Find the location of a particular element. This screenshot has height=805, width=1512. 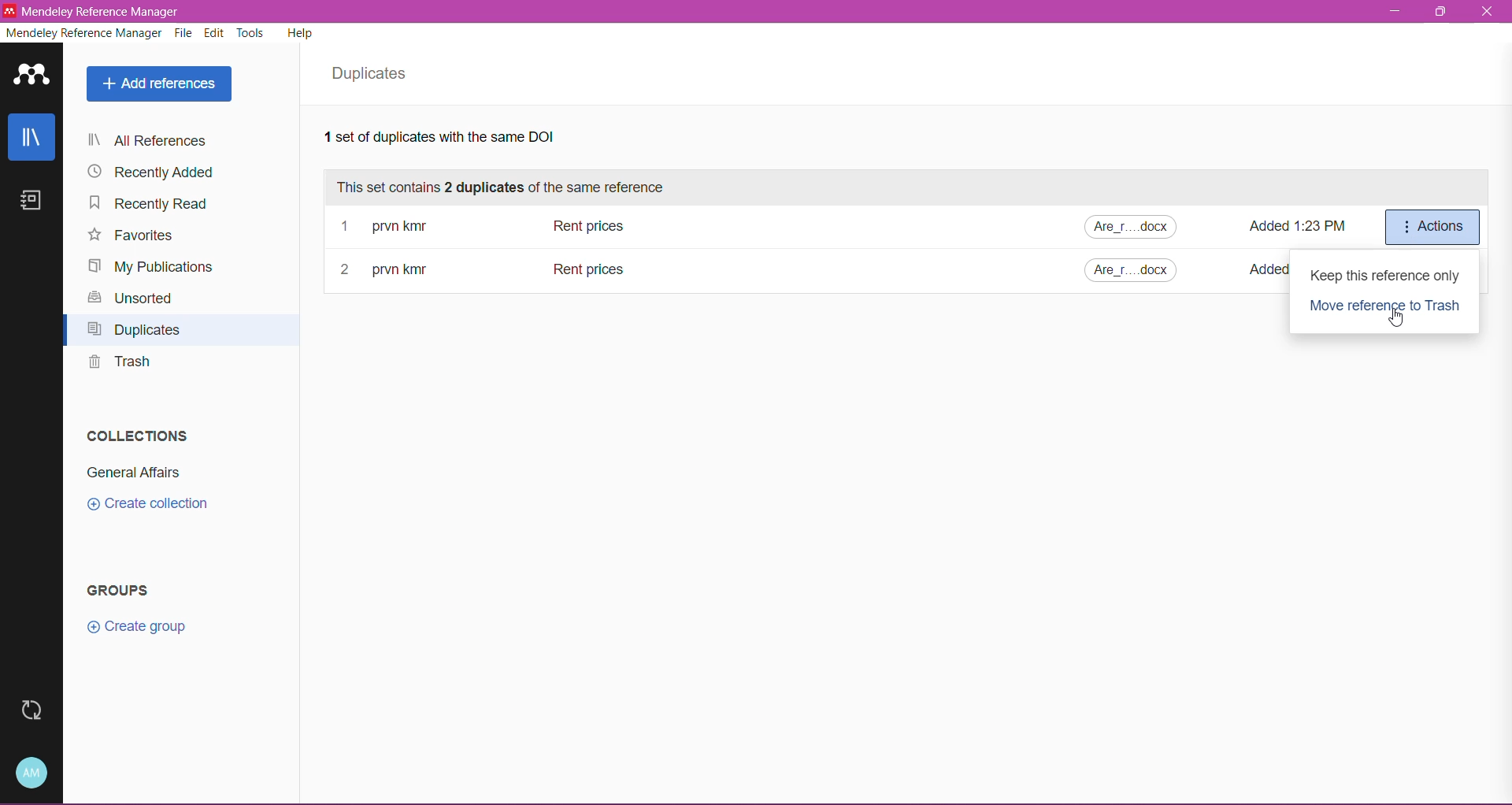

File is located at coordinates (1136, 228).